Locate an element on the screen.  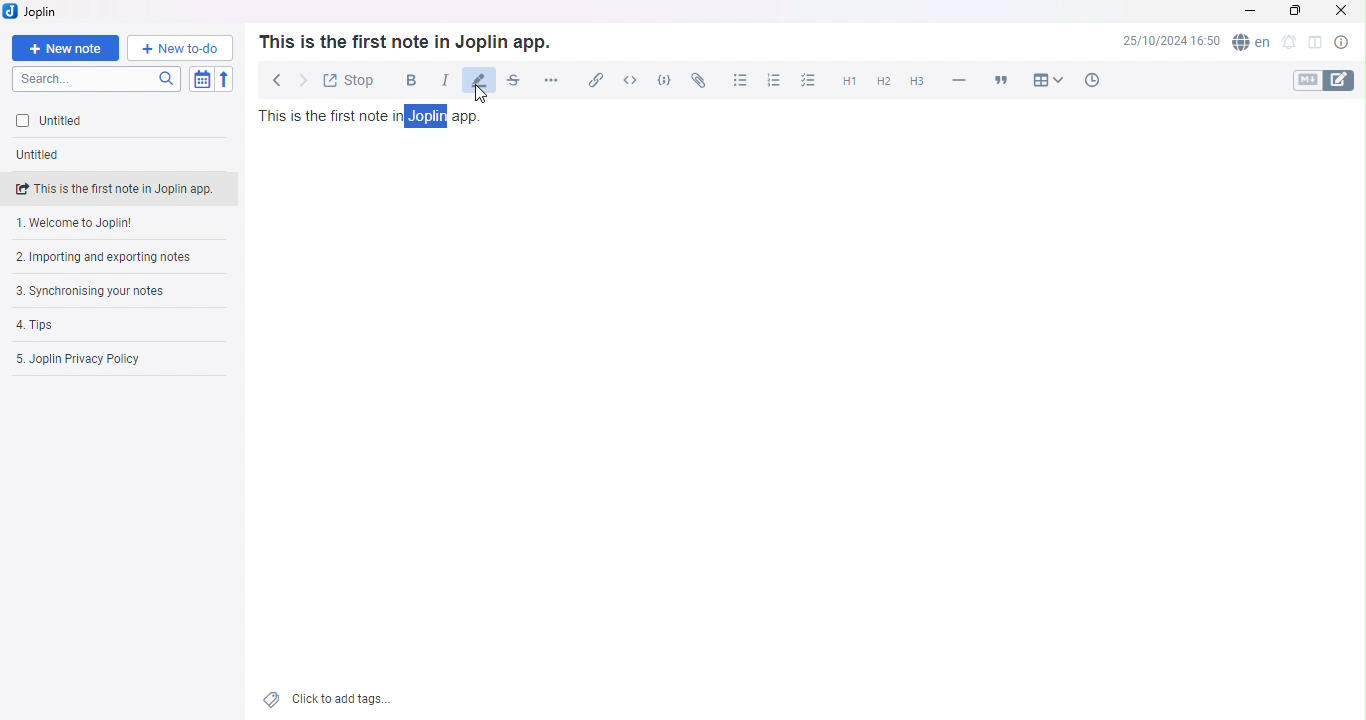
Insert time is located at coordinates (1088, 79).